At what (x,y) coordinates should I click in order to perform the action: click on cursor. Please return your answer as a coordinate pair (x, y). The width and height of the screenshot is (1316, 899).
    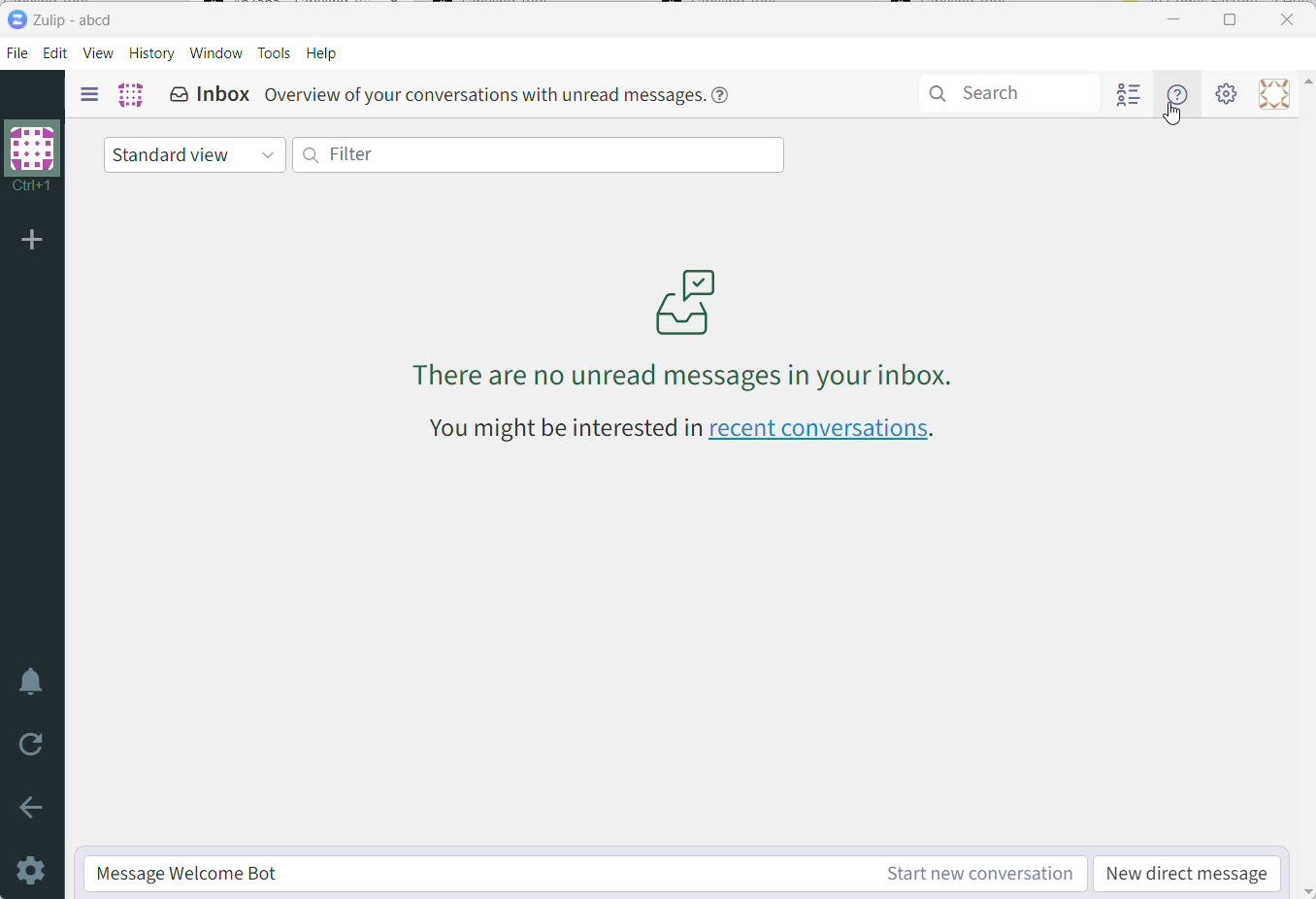
    Looking at the image, I should click on (1173, 120).